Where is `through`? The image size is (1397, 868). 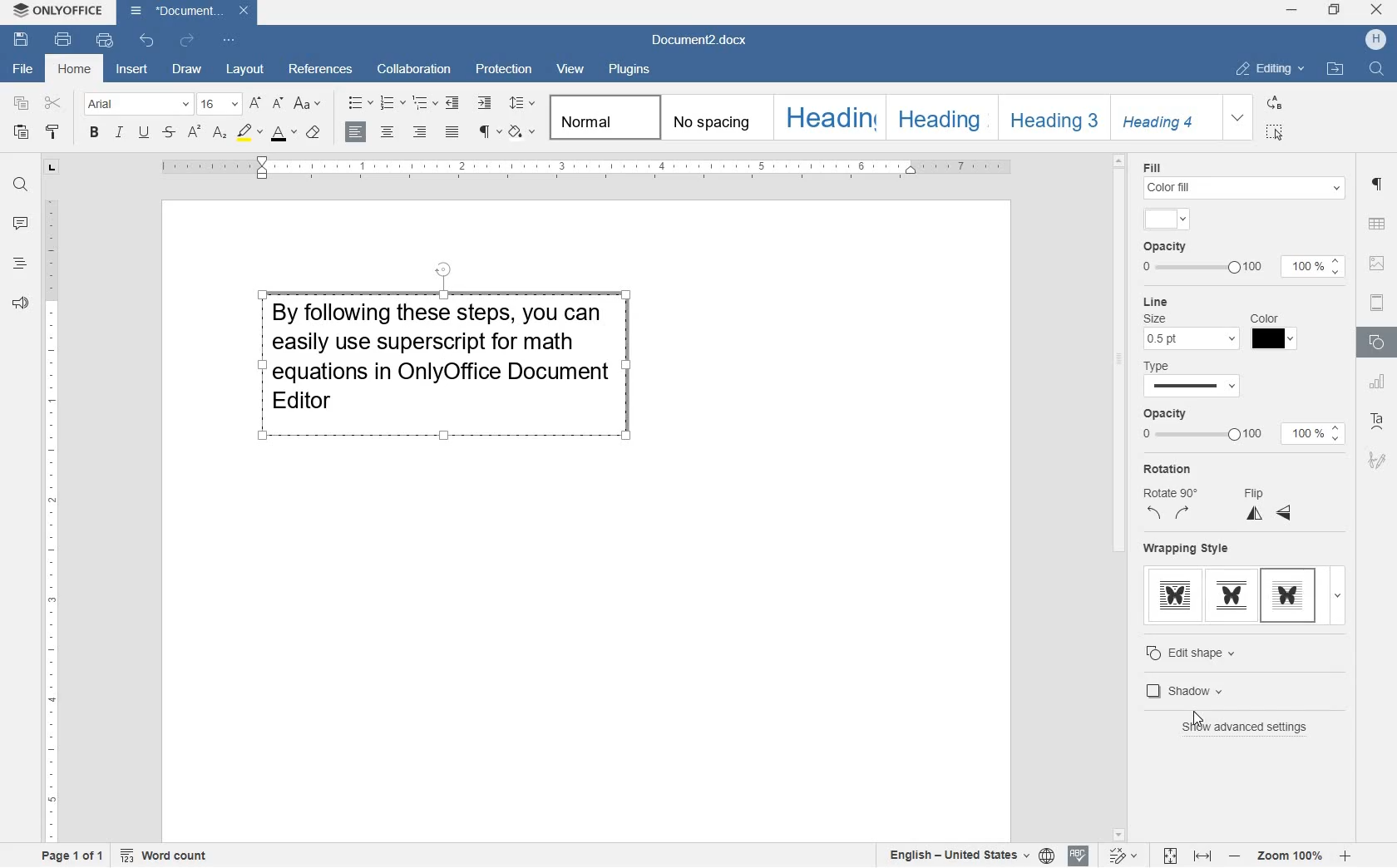
through is located at coordinates (1176, 594).